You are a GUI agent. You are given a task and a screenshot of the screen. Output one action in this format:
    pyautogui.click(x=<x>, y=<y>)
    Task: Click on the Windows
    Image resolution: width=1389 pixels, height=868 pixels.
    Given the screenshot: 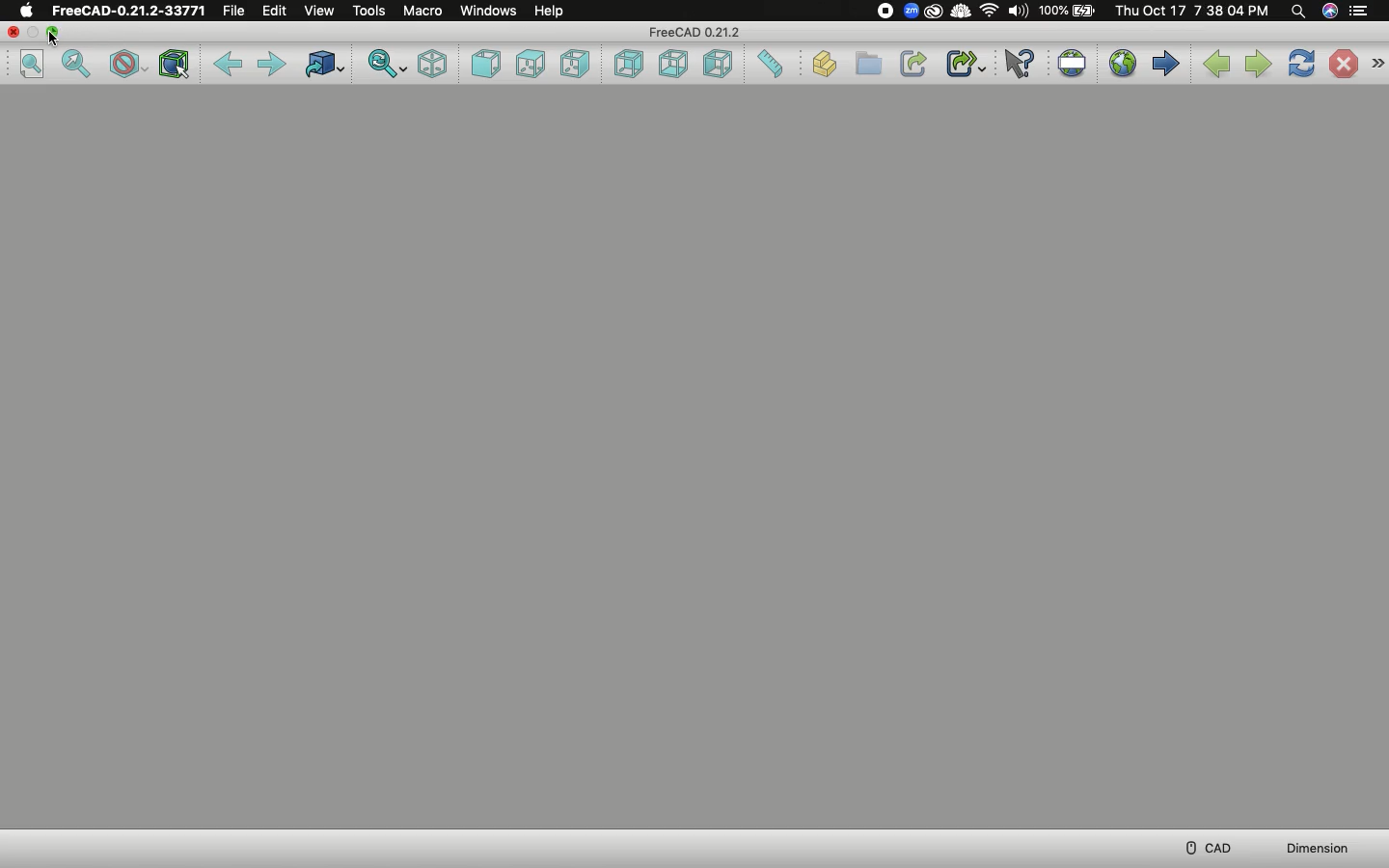 What is the action you would take?
    pyautogui.click(x=485, y=11)
    